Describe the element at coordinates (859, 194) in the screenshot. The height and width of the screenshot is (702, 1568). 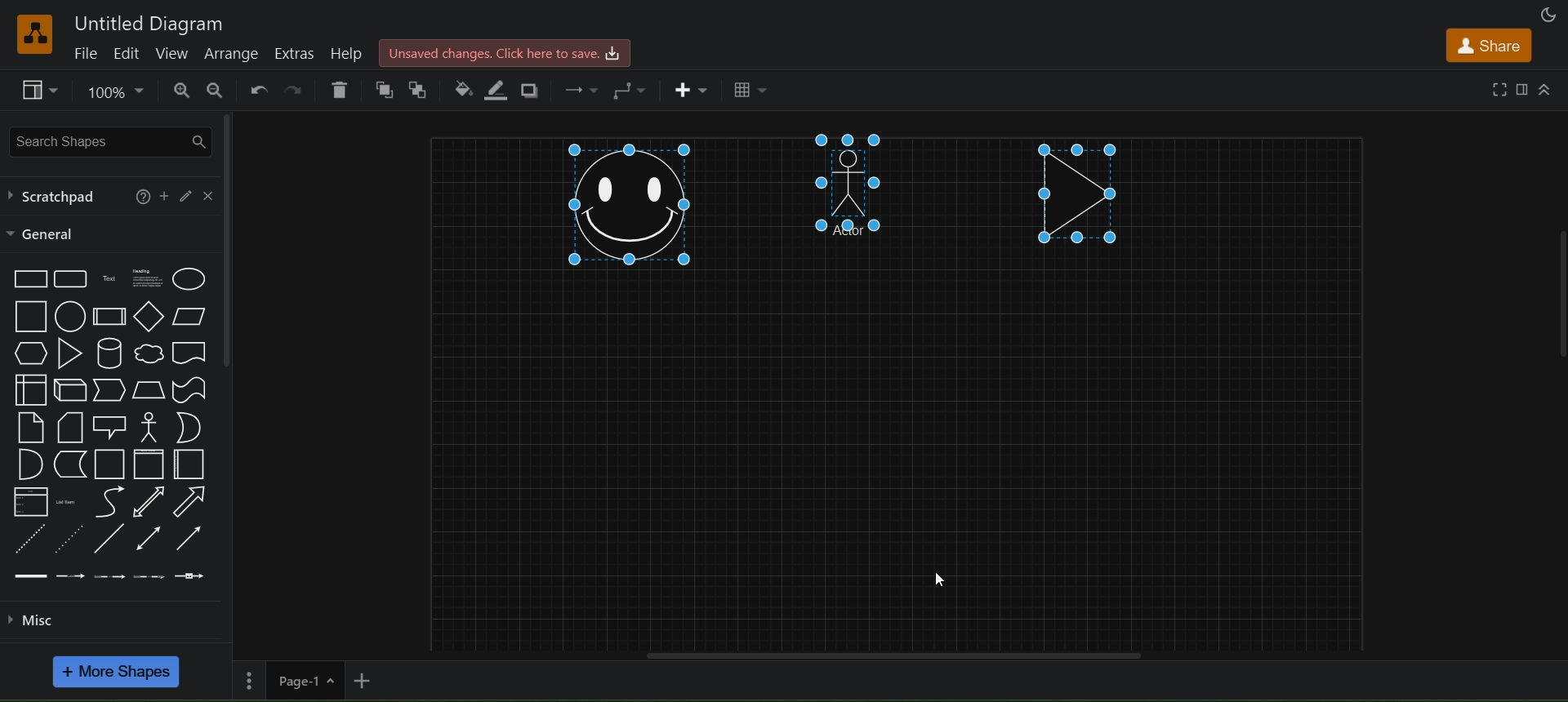
I see `all shapes aligned to top` at that location.